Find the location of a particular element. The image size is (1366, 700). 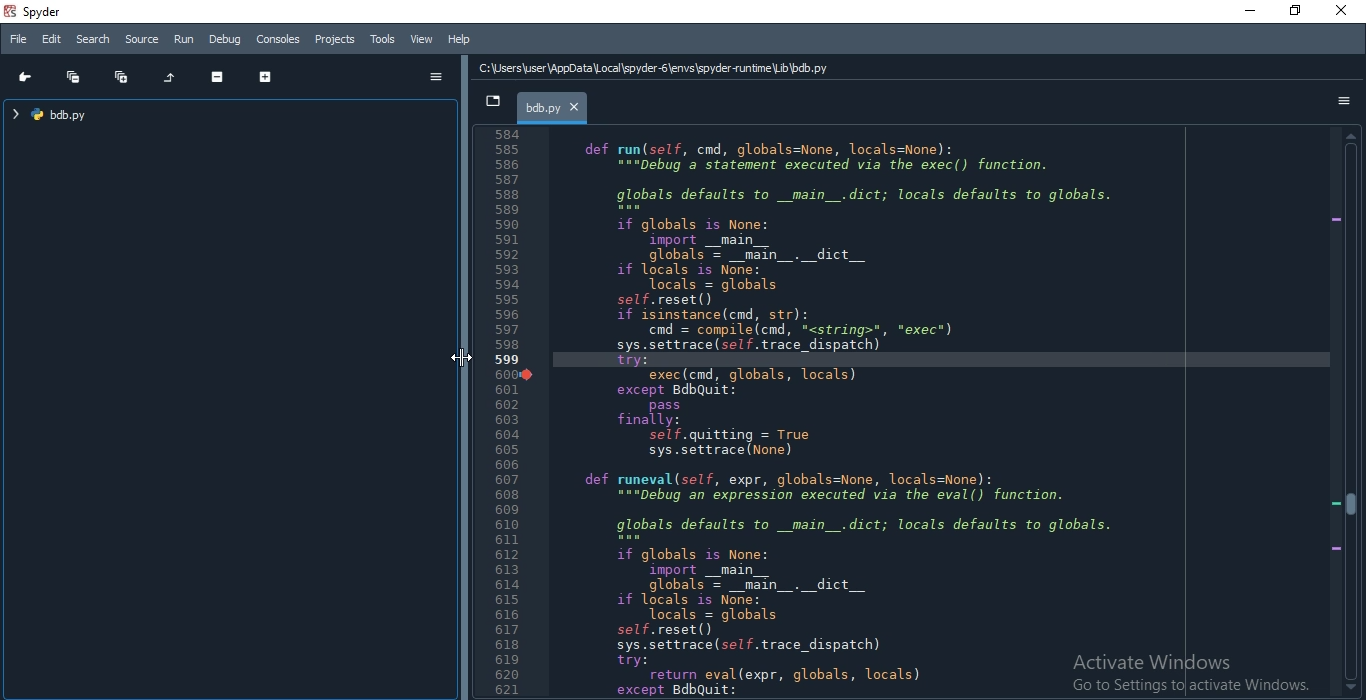

options is located at coordinates (1346, 104).